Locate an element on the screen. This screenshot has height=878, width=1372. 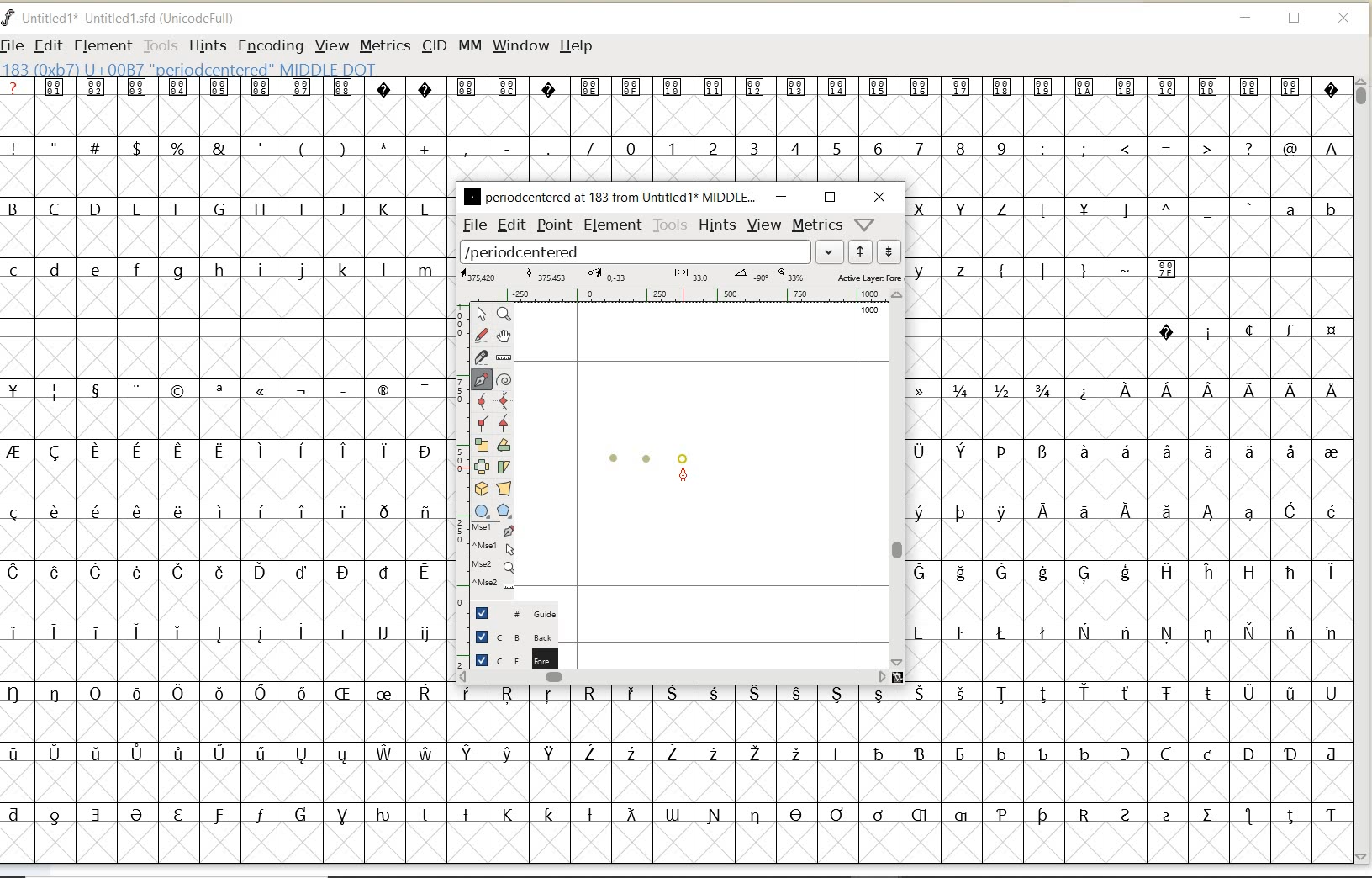
WINDOW is located at coordinates (520, 45).